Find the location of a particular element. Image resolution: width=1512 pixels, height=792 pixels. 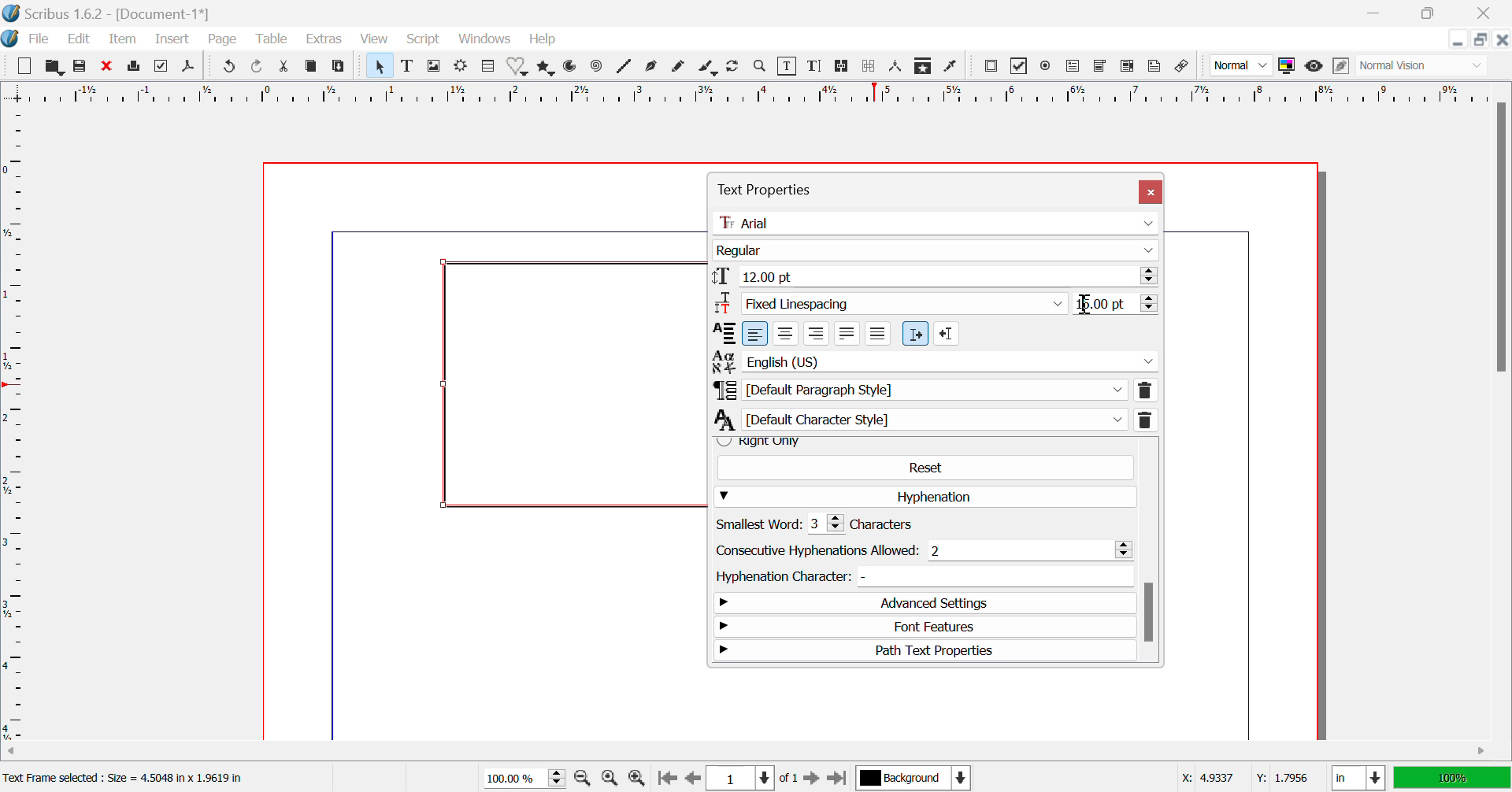

Cursor is located at coordinates (1087, 305).